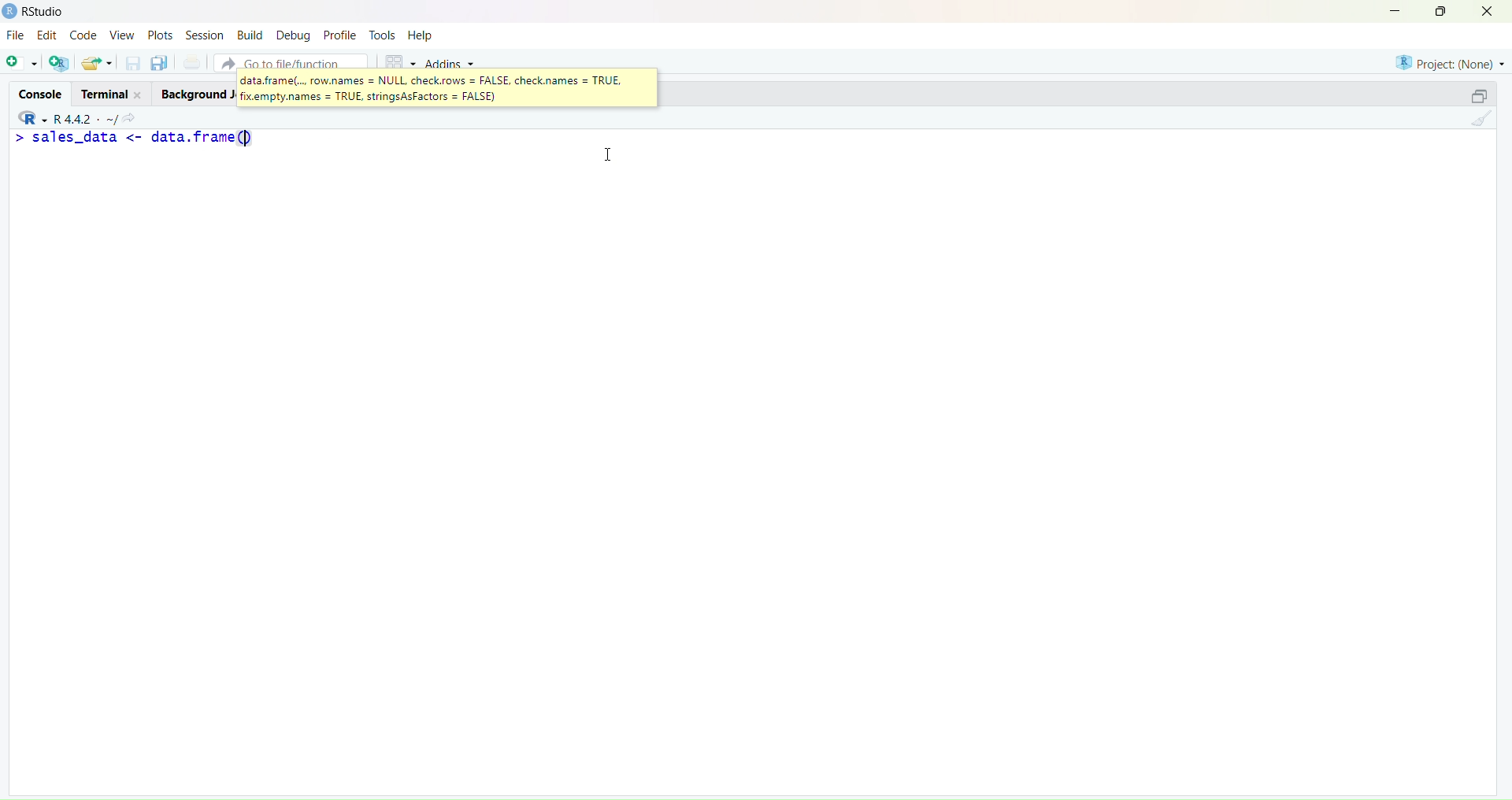  What do you see at coordinates (155, 138) in the screenshot?
I see `> sales_data <- data.vrame(p` at bounding box center [155, 138].